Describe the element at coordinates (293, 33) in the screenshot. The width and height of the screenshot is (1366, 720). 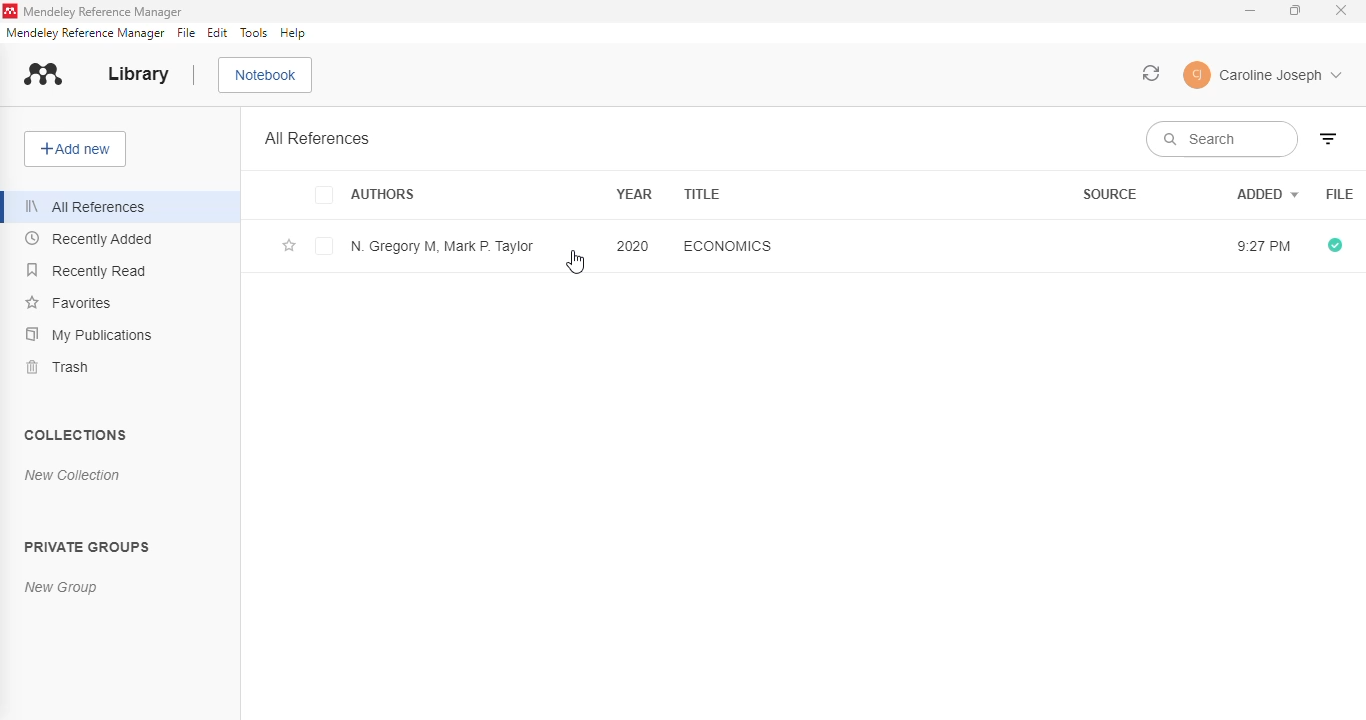
I see `help` at that location.